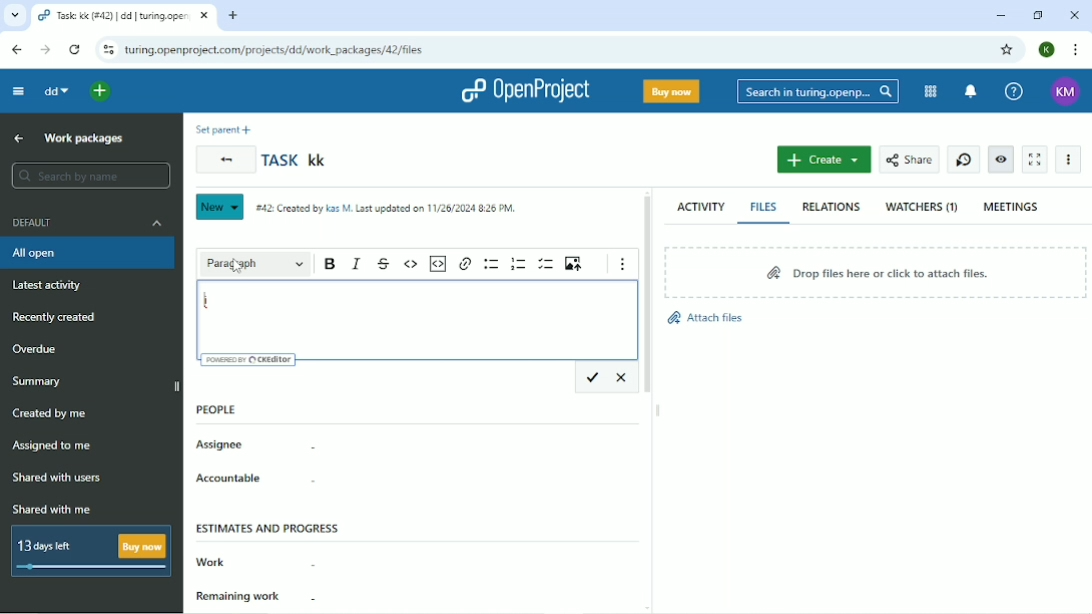 The height and width of the screenshot is (614, 1092). What do you see at coordinates (1014, 90) in the screenshot?
I see `Help` at bounding box center [1014, 90].